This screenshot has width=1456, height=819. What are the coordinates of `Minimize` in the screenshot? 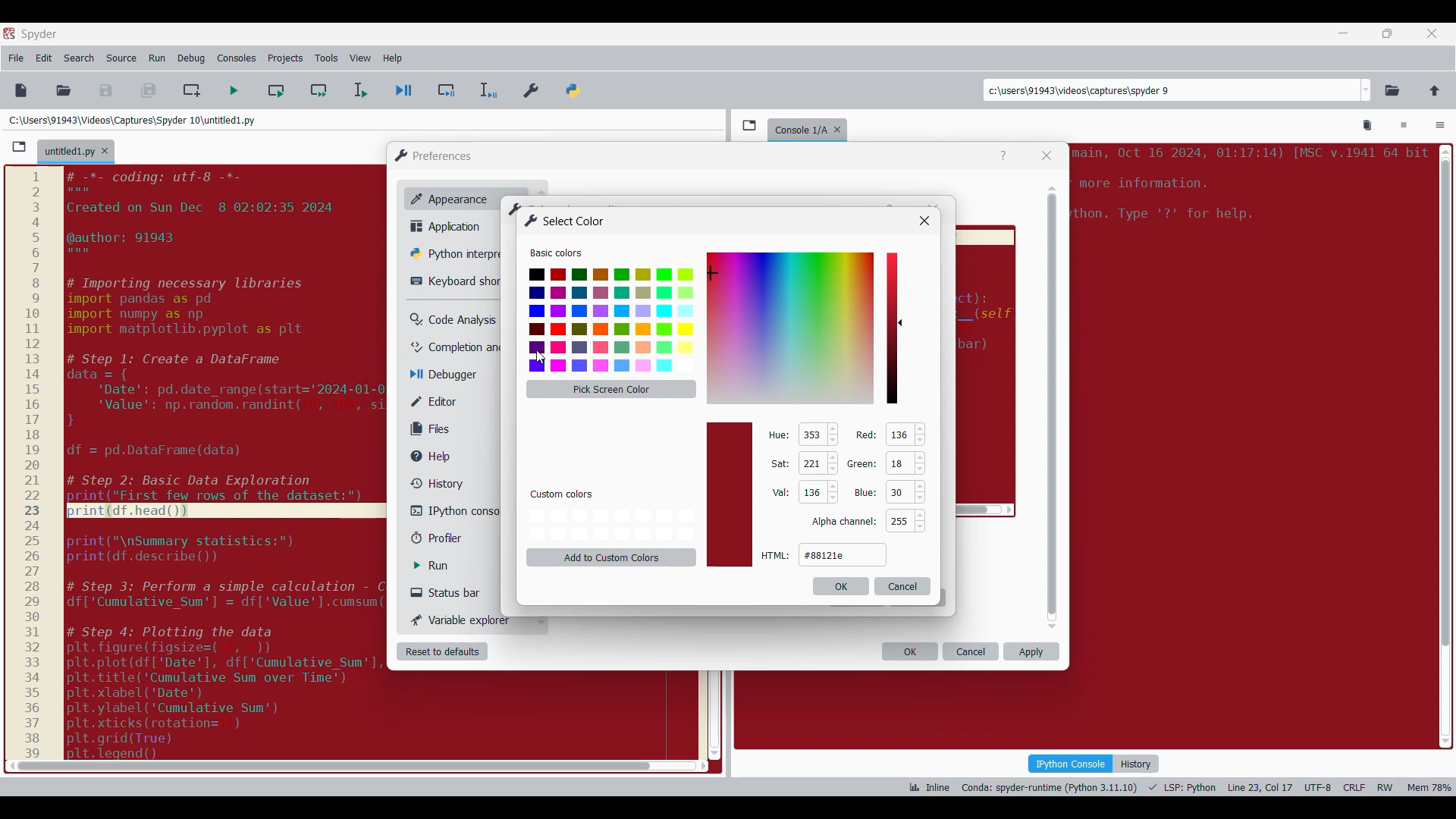 It's located at (1344, 33).